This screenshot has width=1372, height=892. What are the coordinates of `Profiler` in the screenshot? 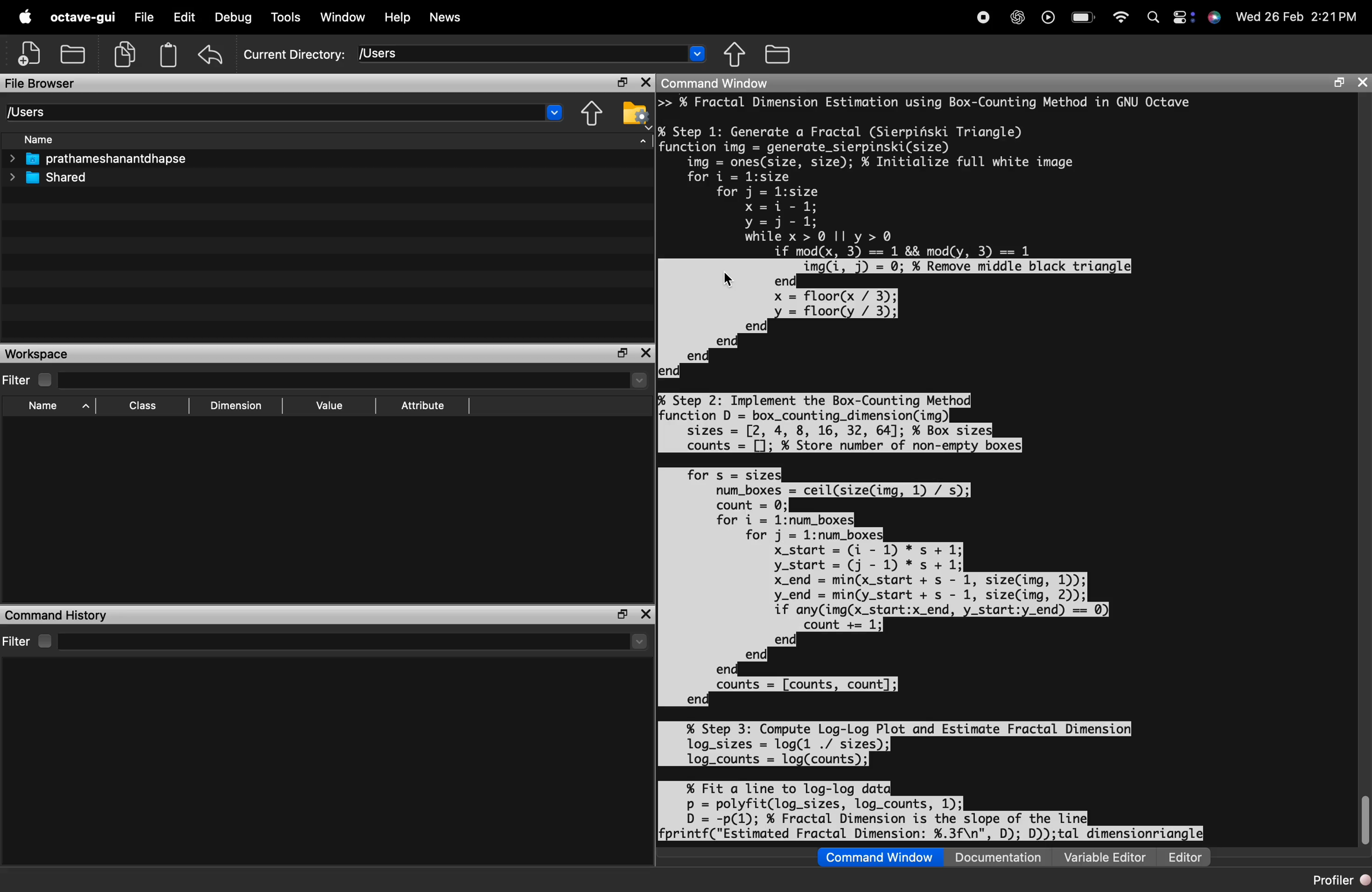 It's located at (1341, 880).